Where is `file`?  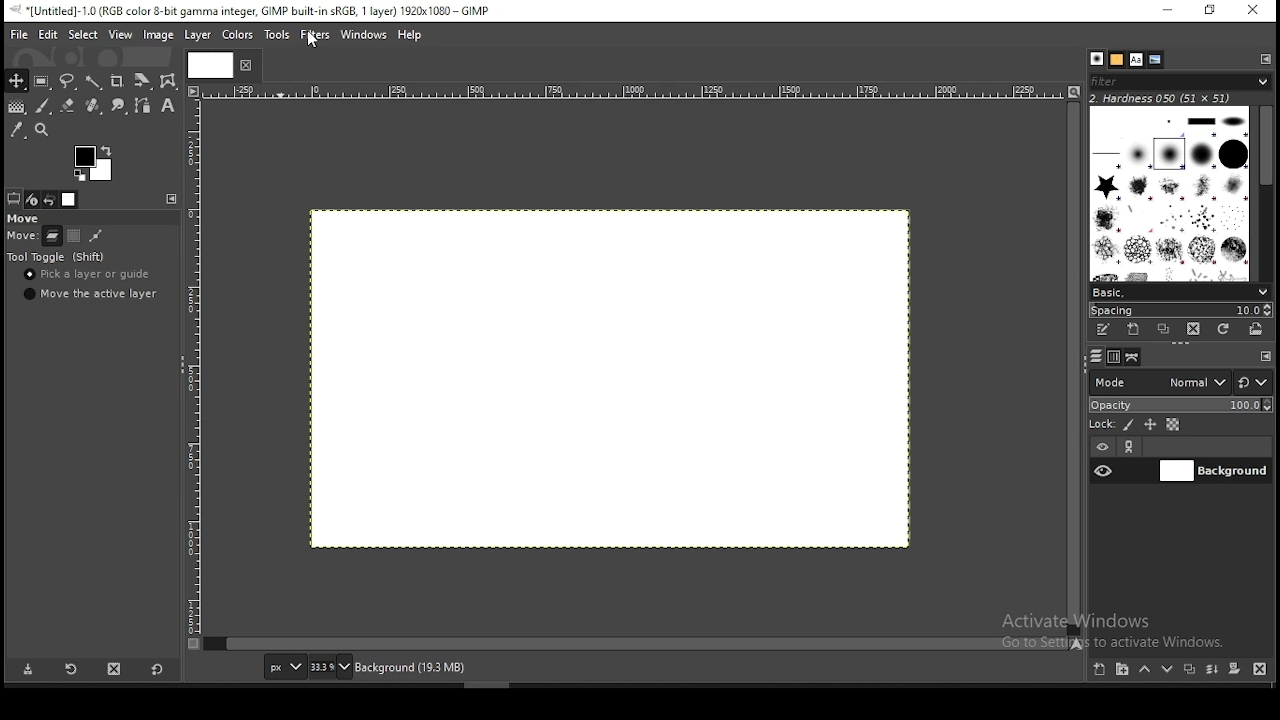
file is located at coordinates (19, 34).